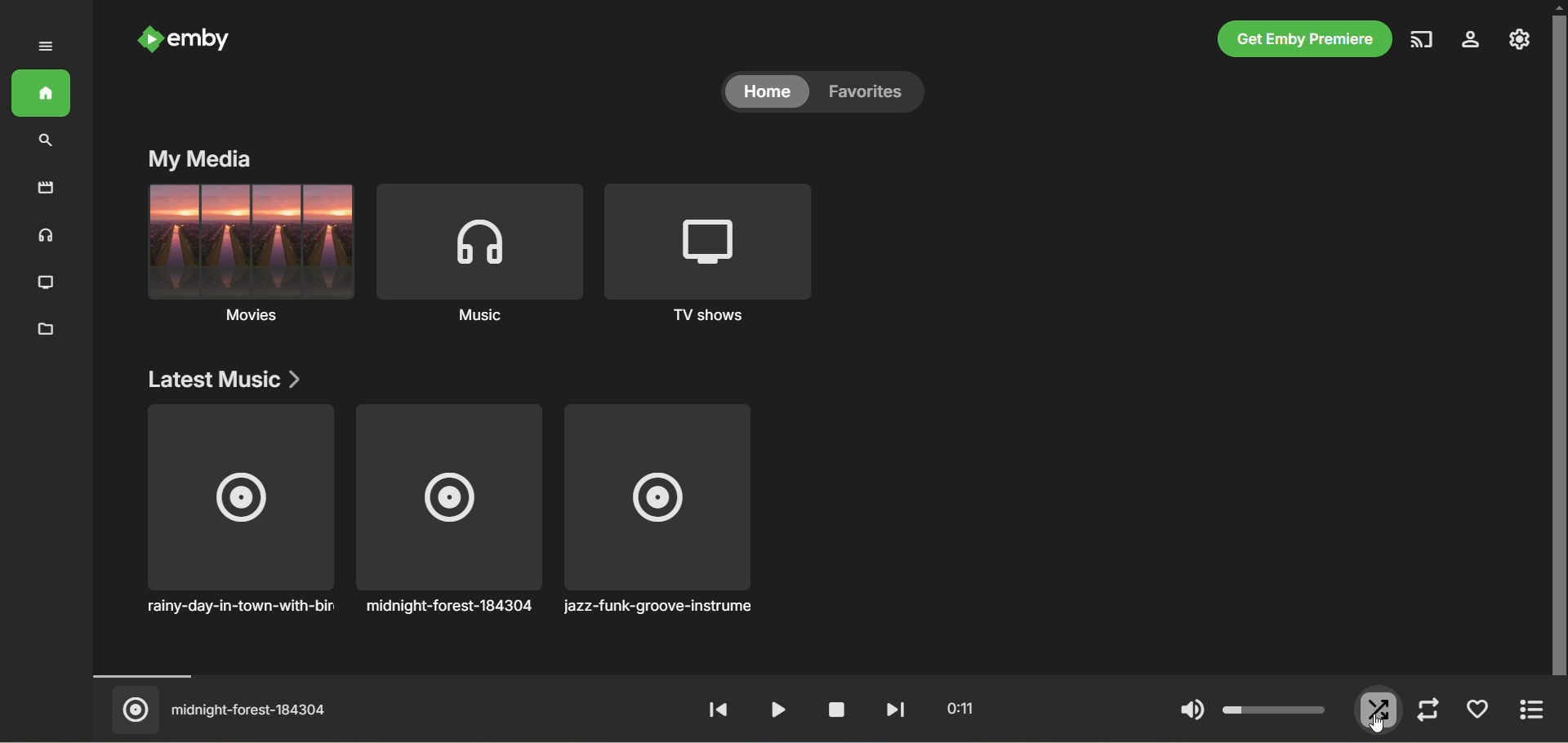  Describe the element at coordinates (1379, 723) in the screenshot. I see `cursor` at that location.